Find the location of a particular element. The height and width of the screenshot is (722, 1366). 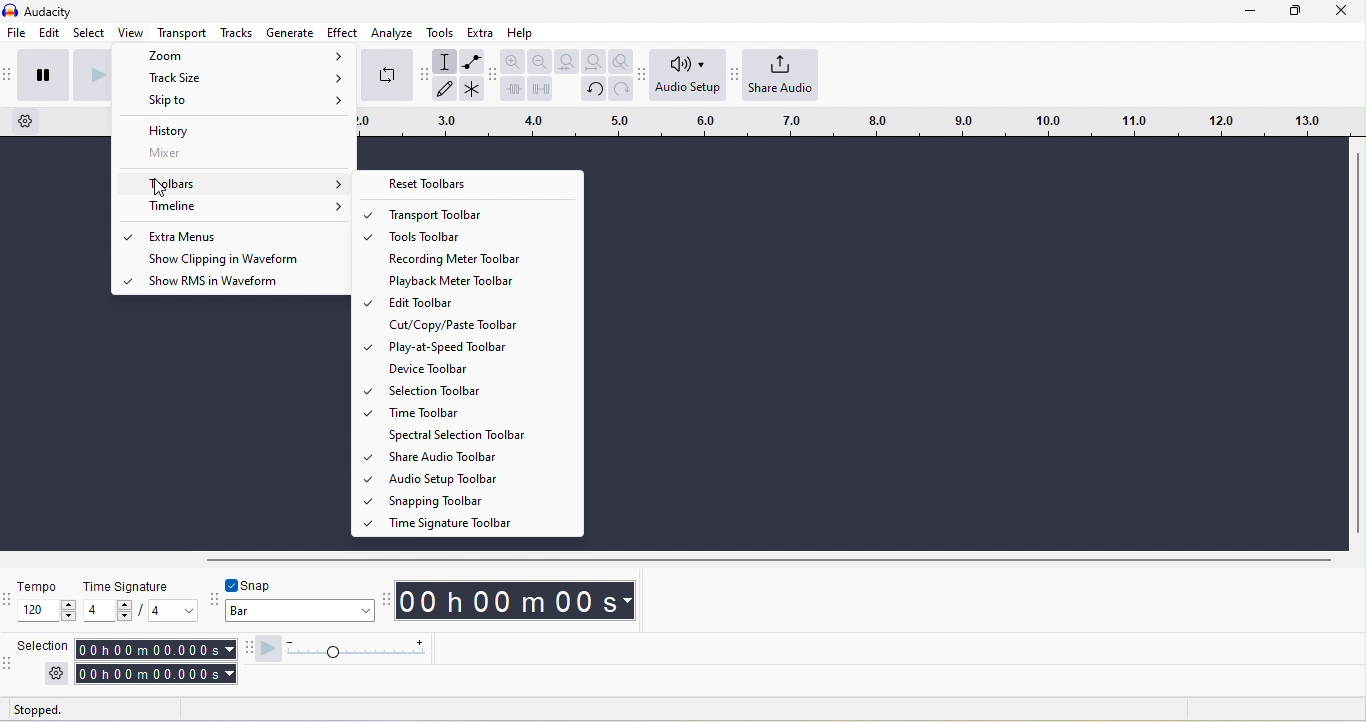

option enabled is located at coordinates (125, 280).